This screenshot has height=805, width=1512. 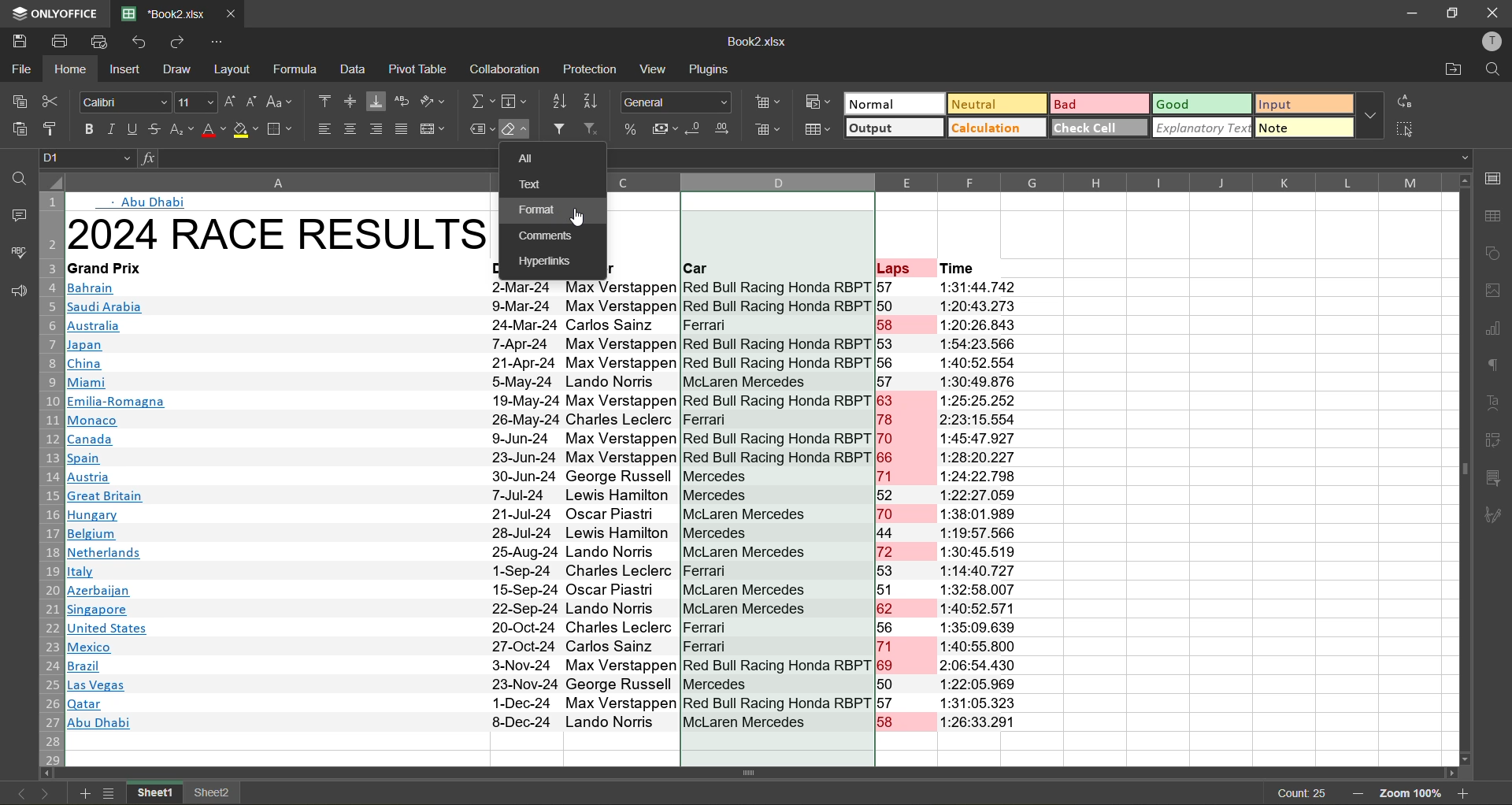 I want to click on insert, so click(x=128, y=71).